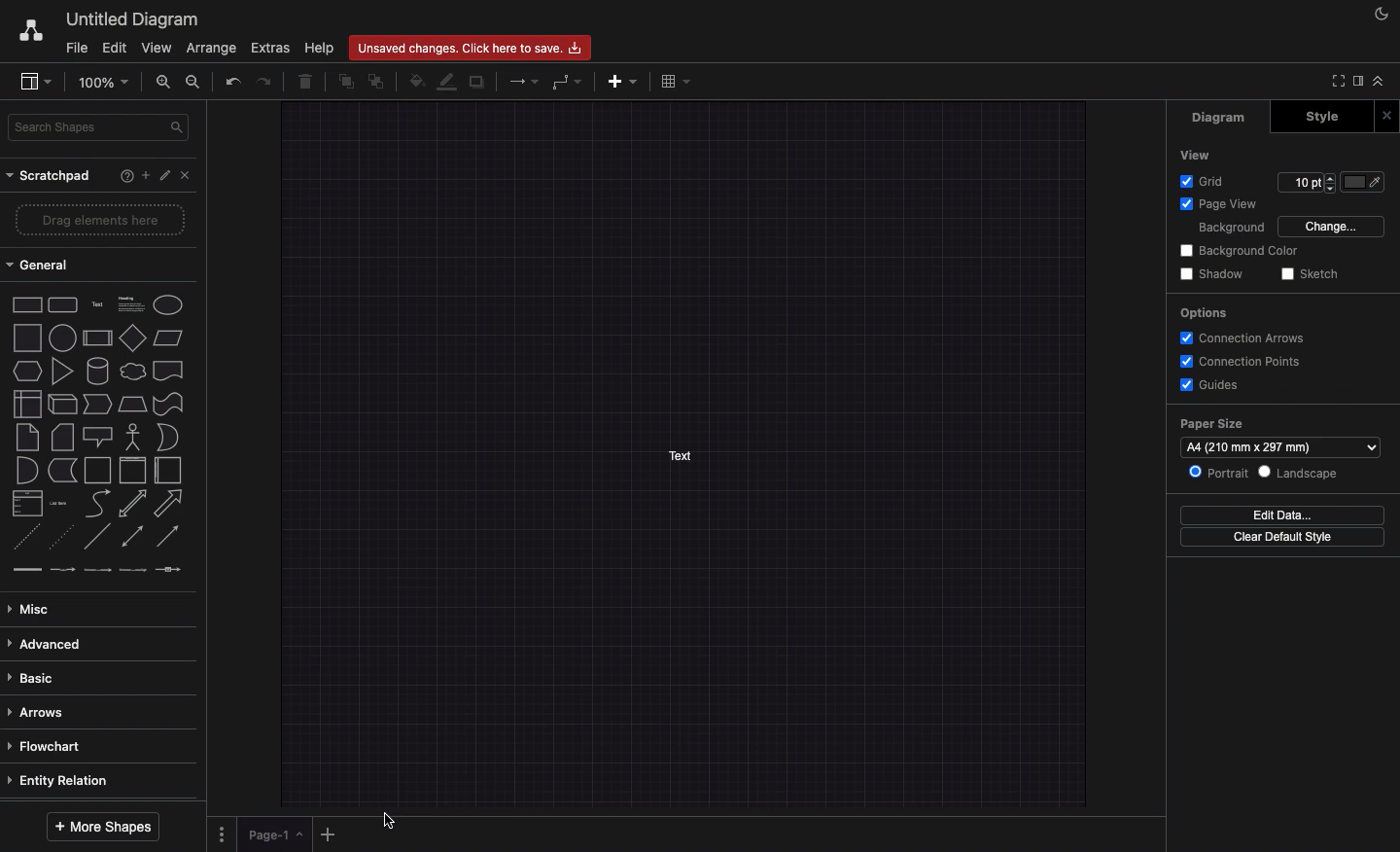 This screenshot has height=852, width=1400. Describe the element at coordinates (1201, 182) in the screenshot. I see `Grid` at that location.